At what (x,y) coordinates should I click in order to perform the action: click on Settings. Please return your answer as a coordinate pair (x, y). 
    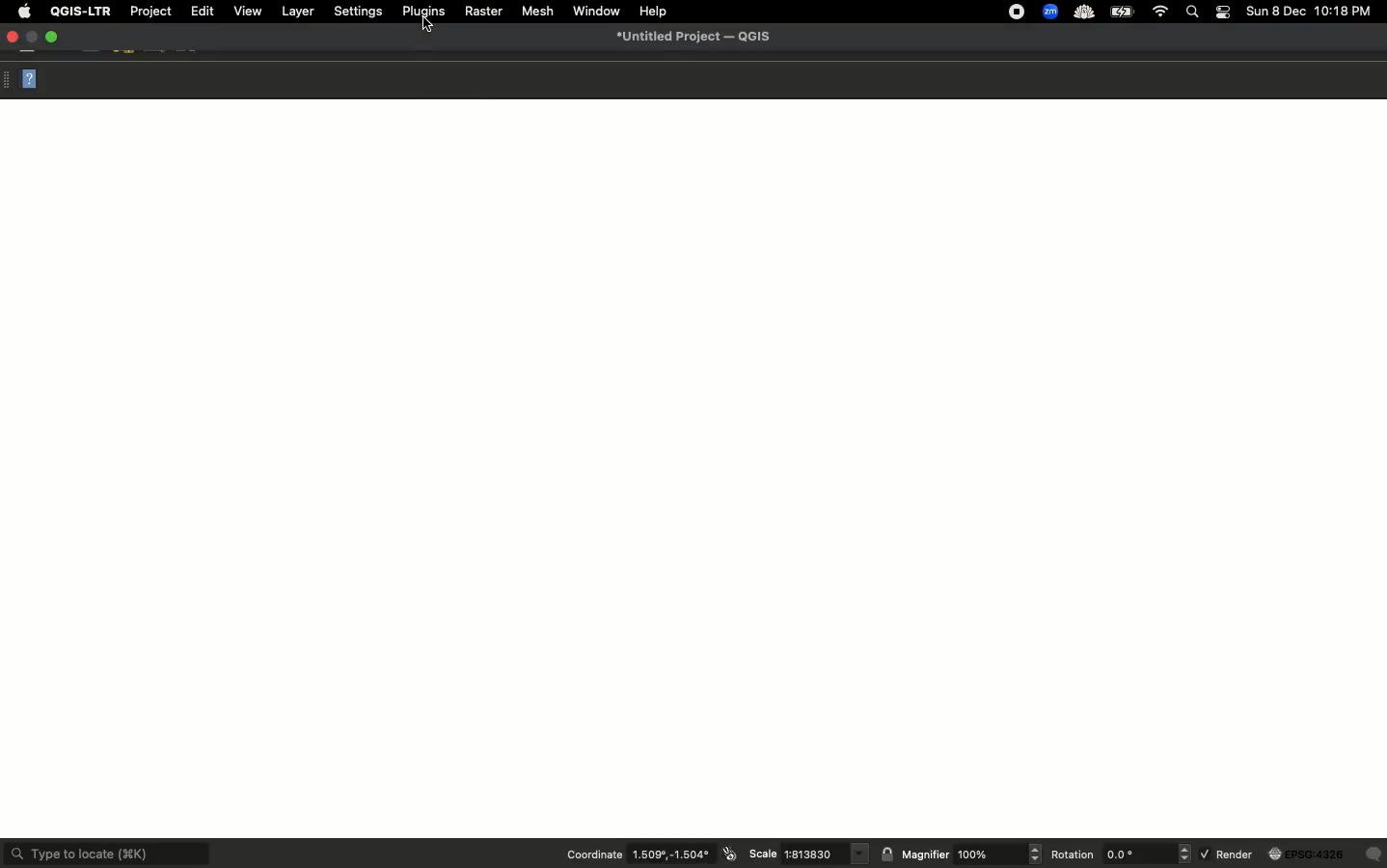
    Looking at the image, I should click on (359, 11).